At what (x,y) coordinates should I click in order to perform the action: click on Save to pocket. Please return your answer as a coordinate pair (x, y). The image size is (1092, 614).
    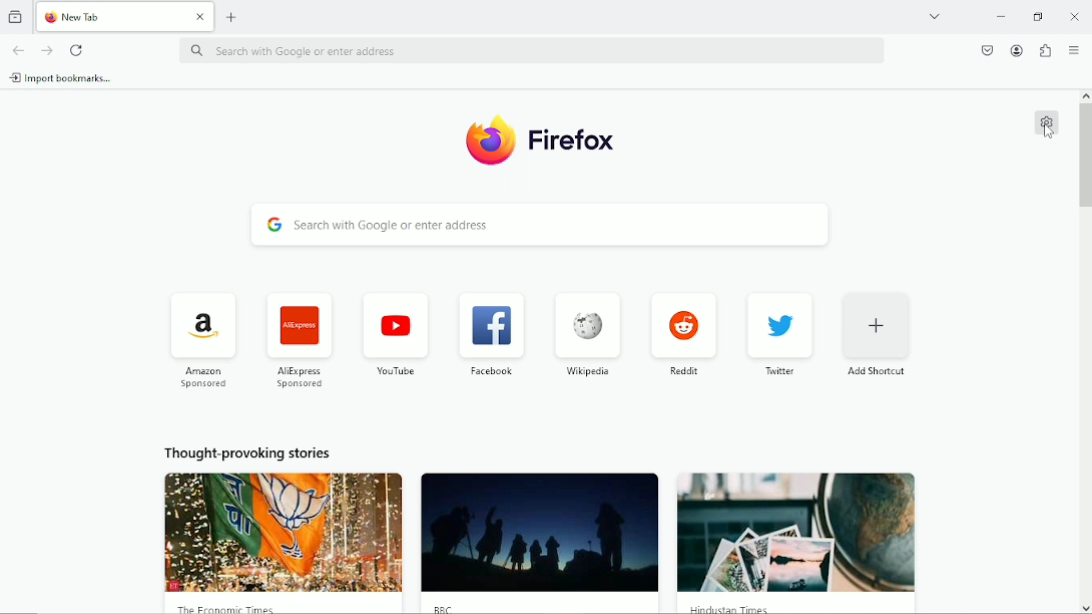
    Looking at the image, I should click on (986, 50).